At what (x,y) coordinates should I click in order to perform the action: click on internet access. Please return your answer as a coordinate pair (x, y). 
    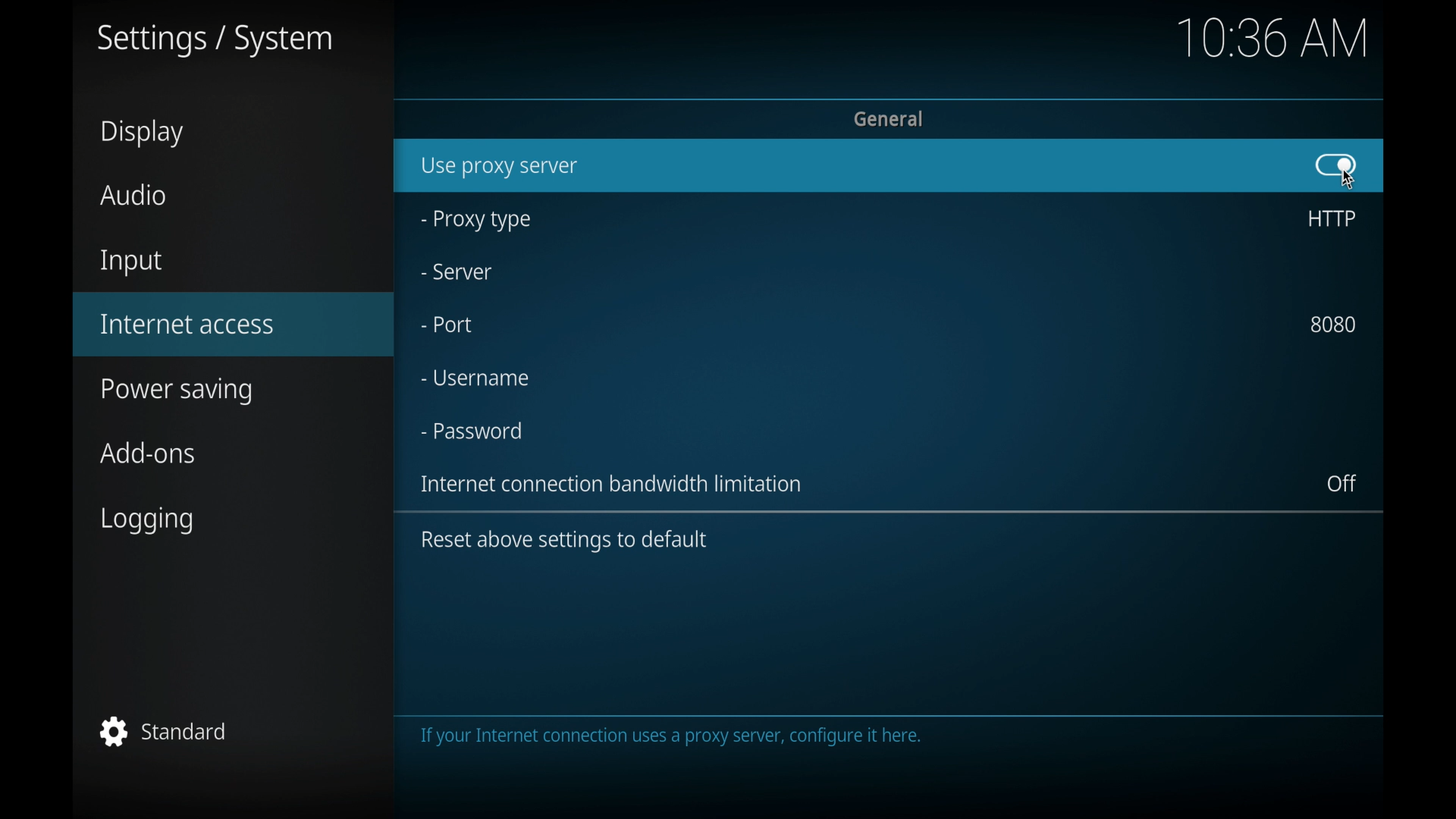
    Looking at the image, I should click on (188, 325).